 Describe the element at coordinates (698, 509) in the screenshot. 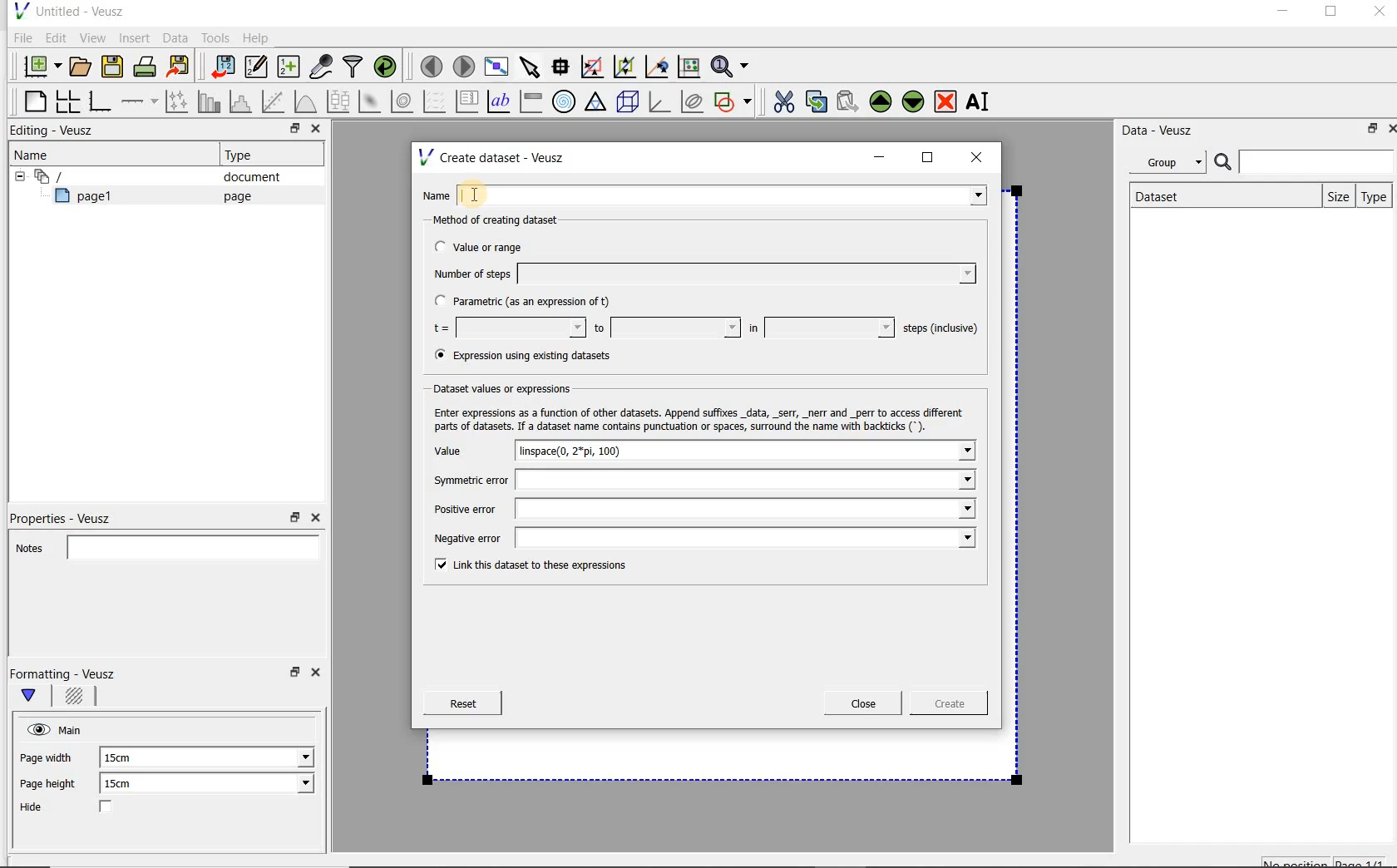

I see `Positive error` at that location.